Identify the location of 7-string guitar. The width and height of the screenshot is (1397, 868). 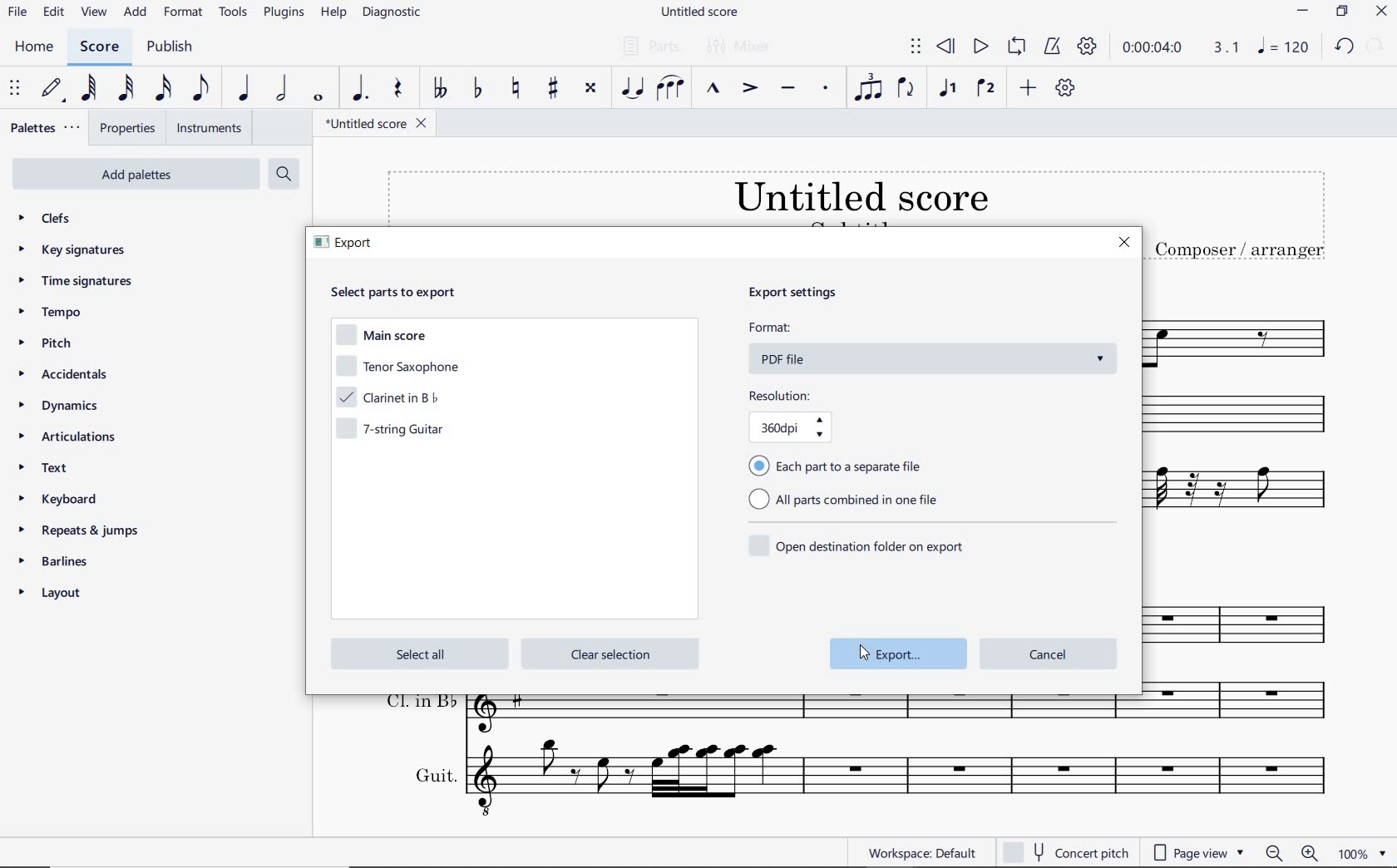
(1248, 497).